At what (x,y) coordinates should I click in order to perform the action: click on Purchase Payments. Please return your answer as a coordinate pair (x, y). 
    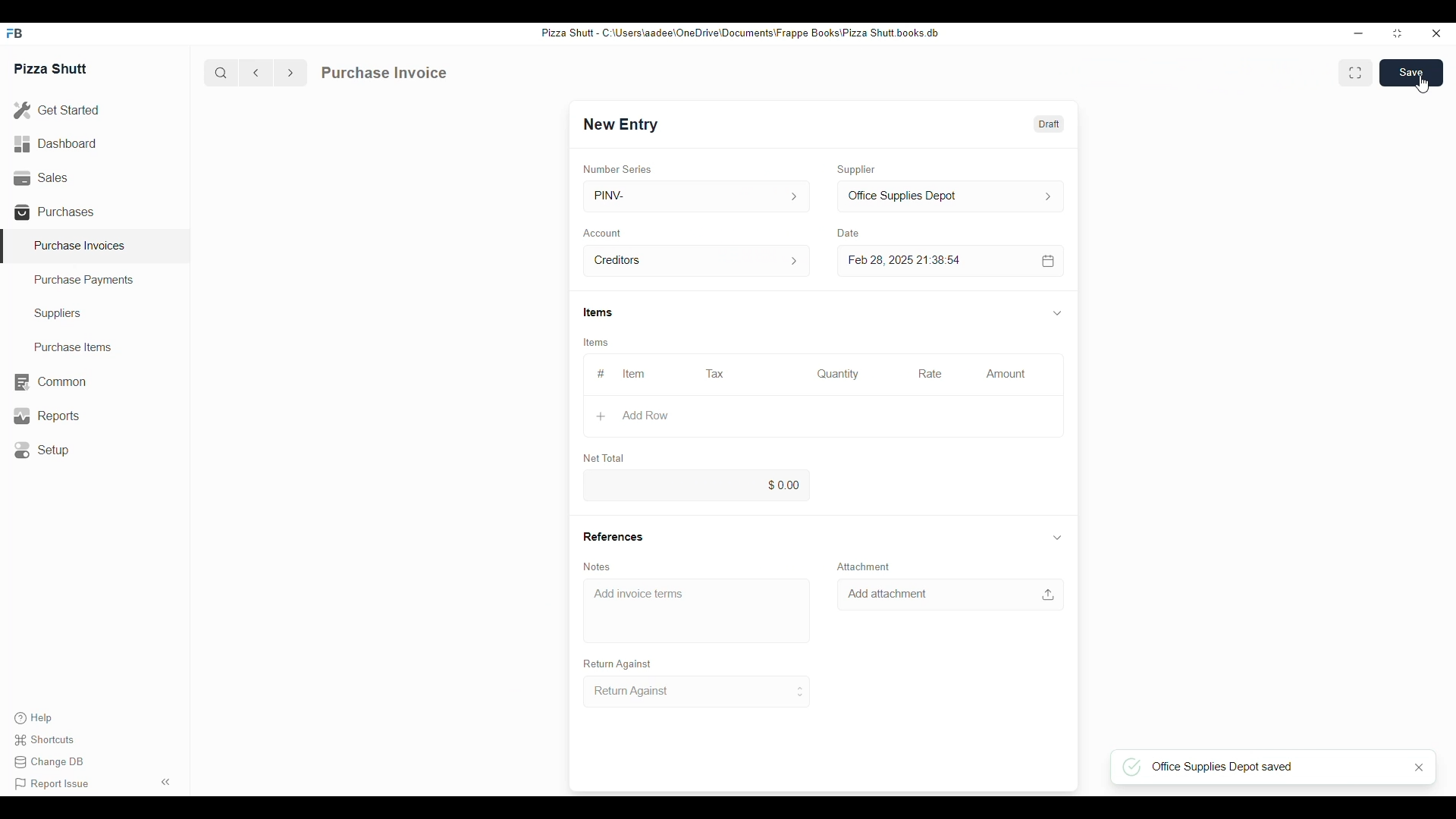
    Looking at the image, I should click on (85, 281).